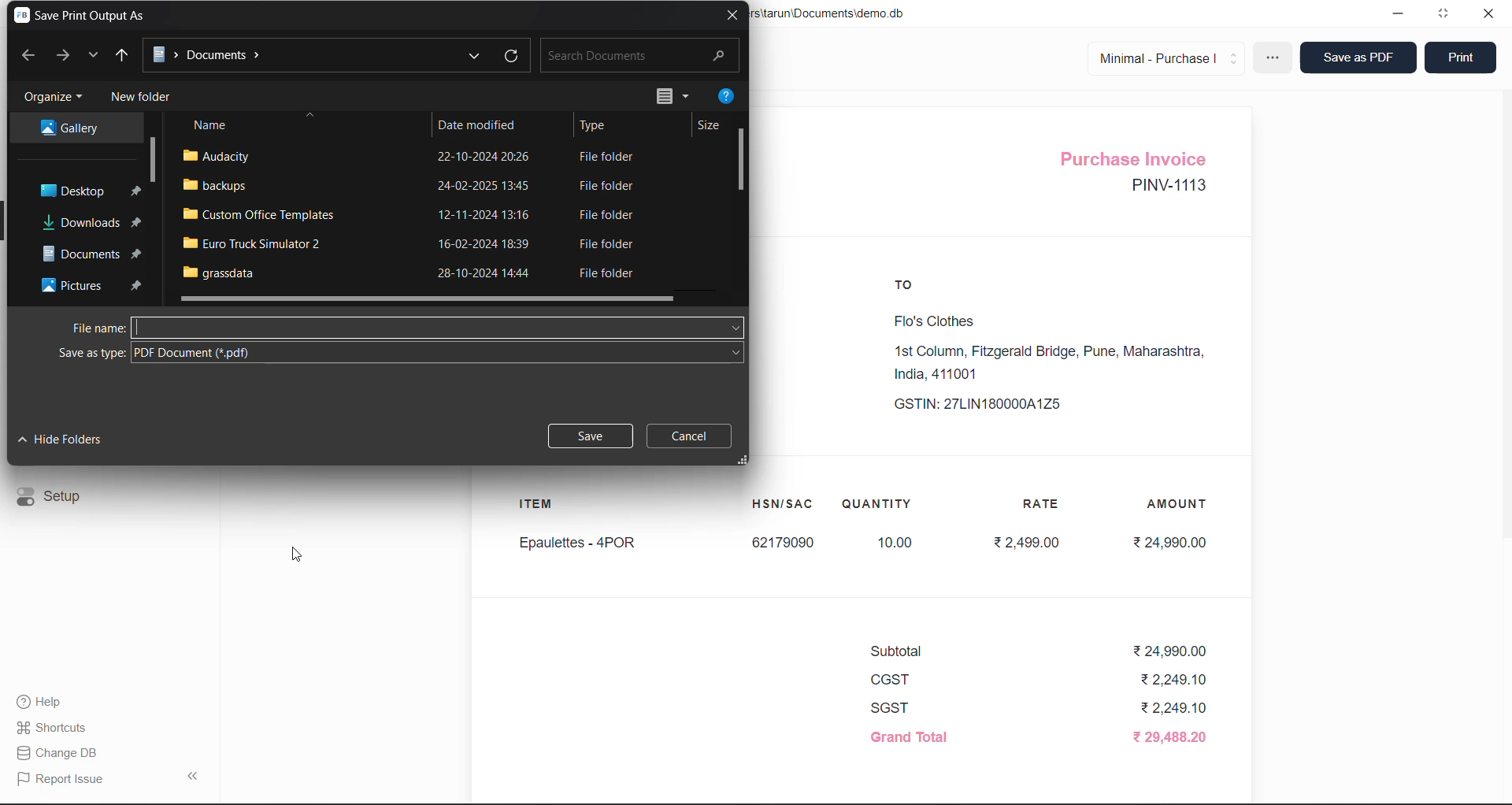 The image size is (1512, 805). Describe the element at coordinates (543, 507) in the screenshot. I see `ITEM` at that location.